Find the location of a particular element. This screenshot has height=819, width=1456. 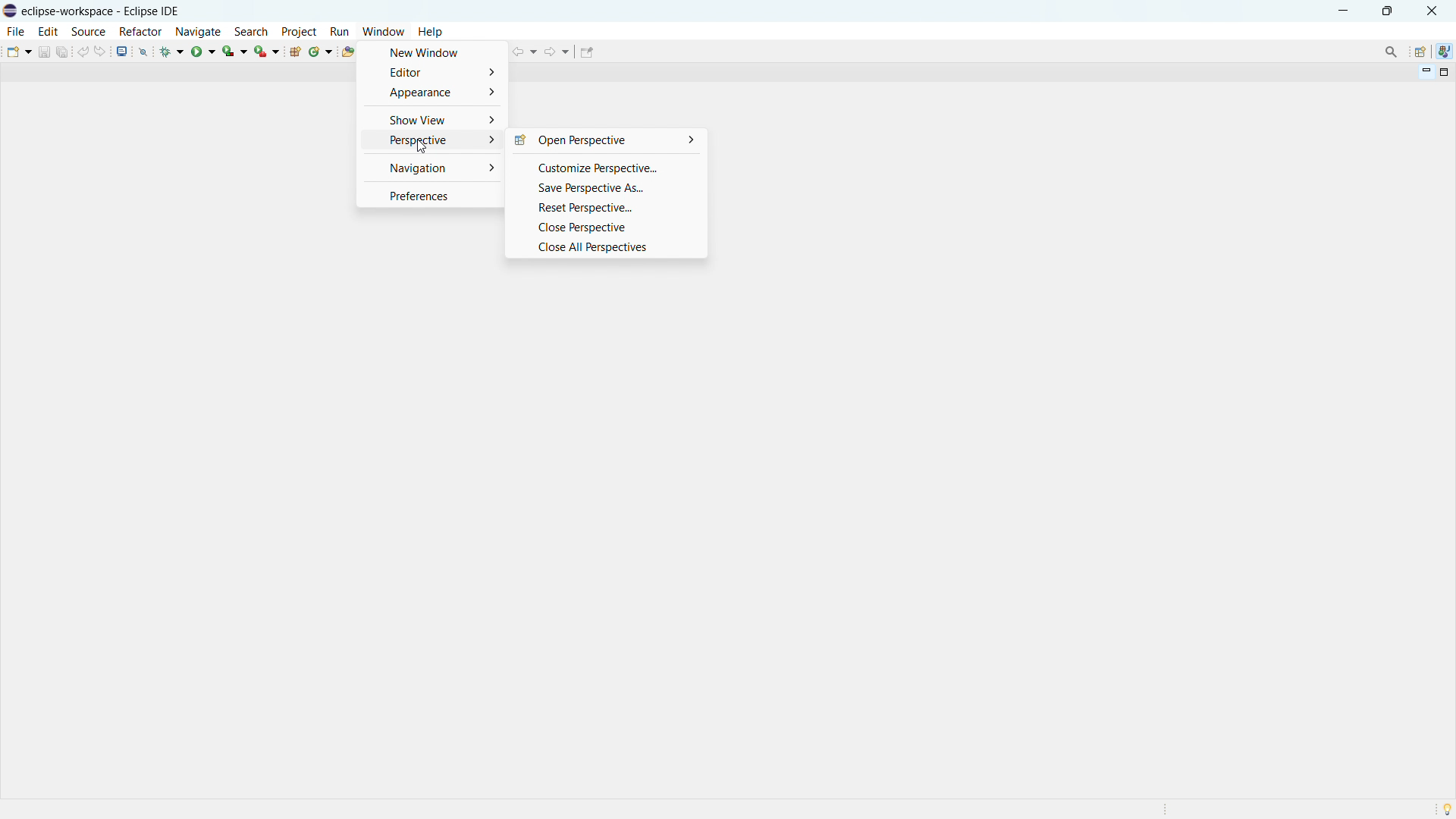

maximize view is located at coordinates (1442, 73).